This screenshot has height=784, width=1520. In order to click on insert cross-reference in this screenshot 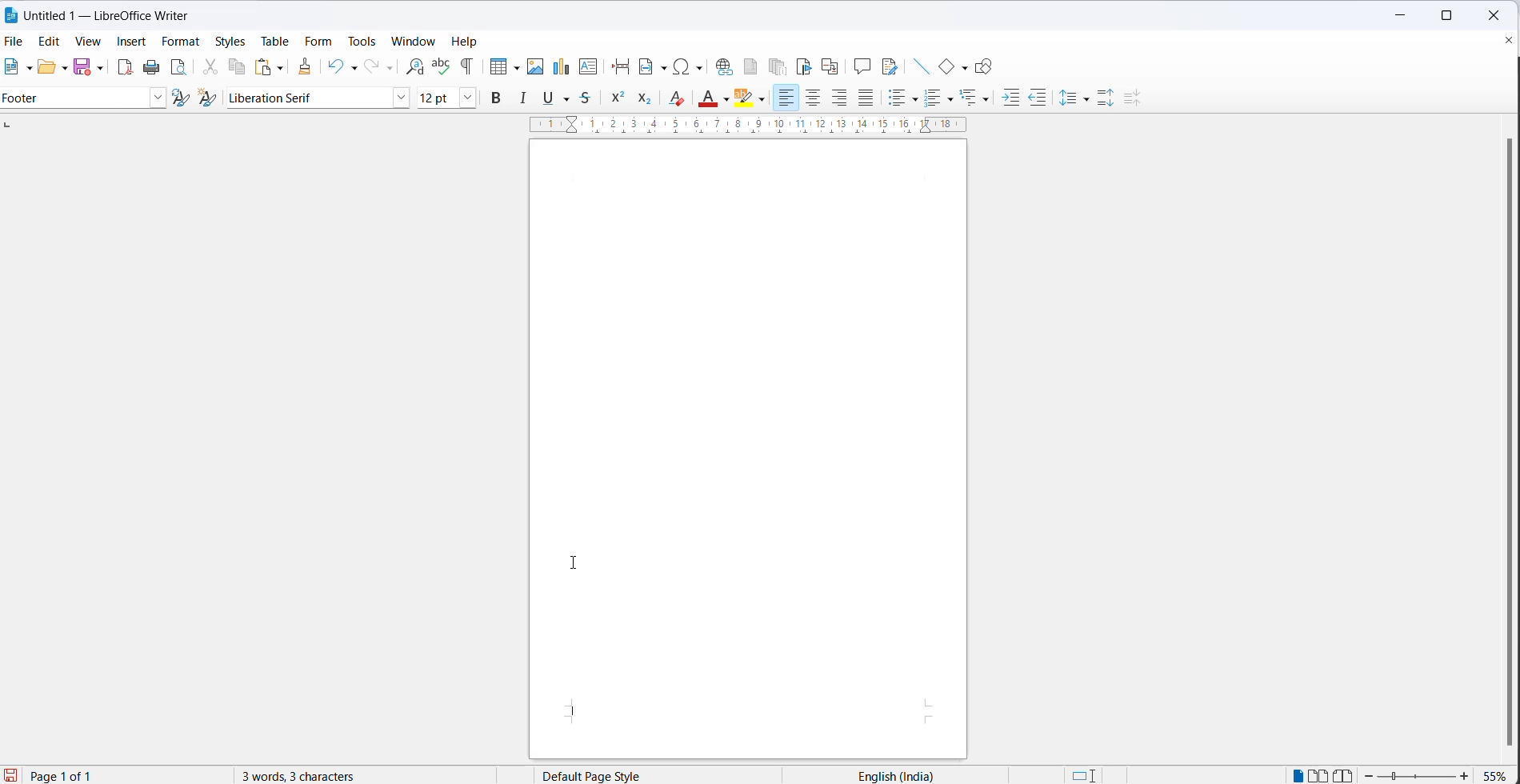, I will do `click(831, 68)`.